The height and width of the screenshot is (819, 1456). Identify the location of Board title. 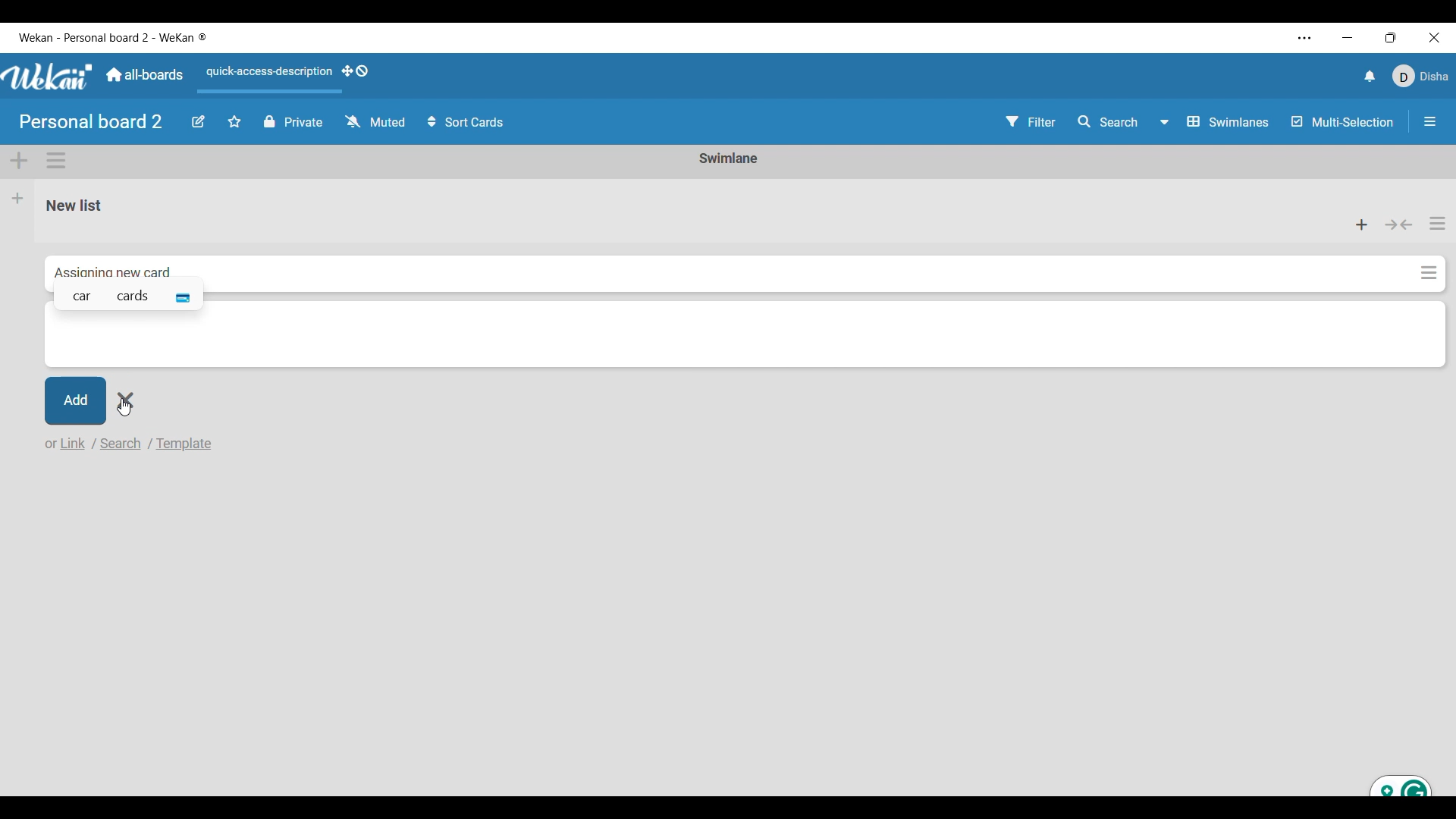
(92, 121).